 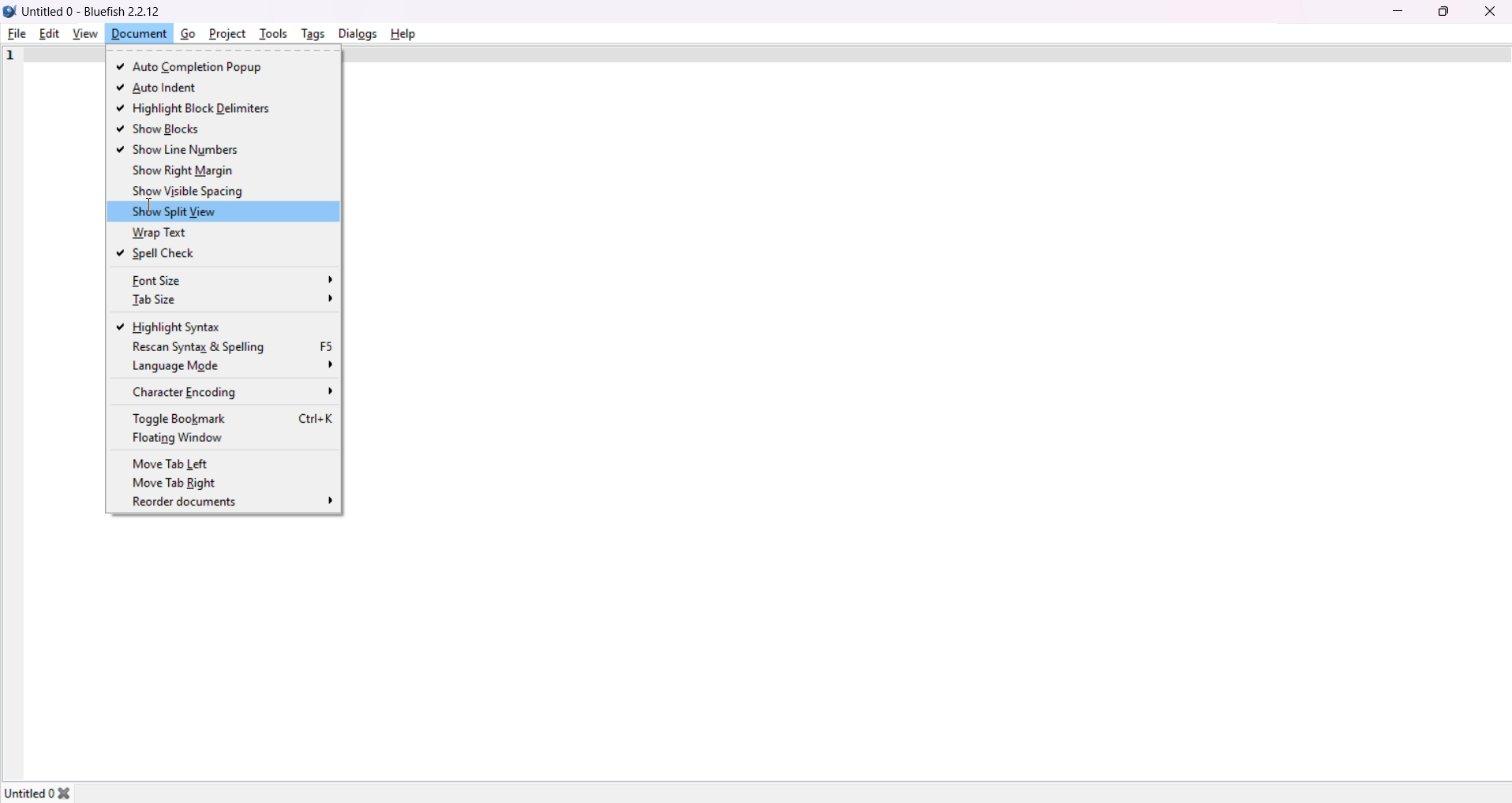 I want to click on show blocks, so click(x=161, y=130).